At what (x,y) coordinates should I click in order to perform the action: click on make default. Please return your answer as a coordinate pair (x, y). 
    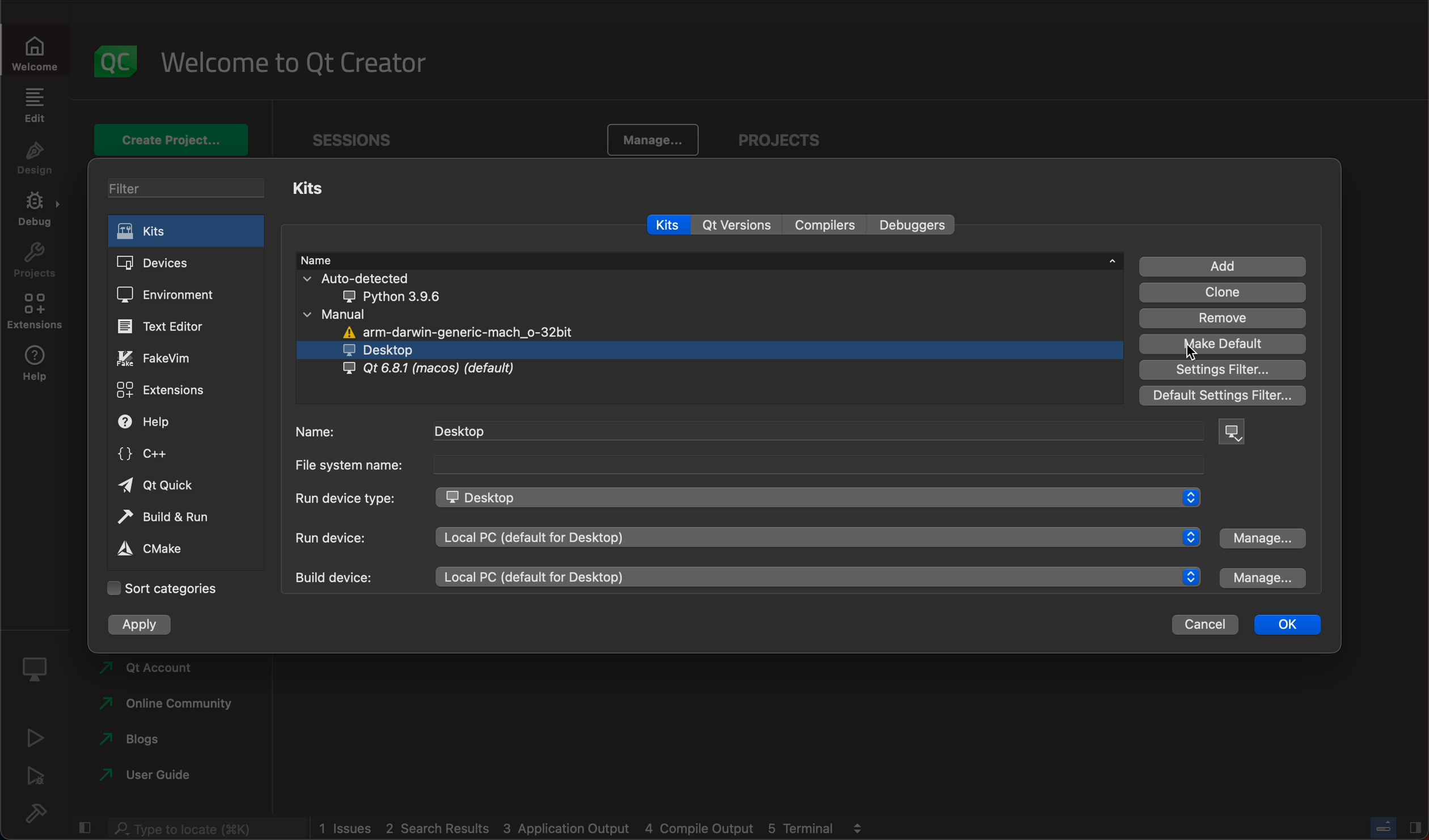
    Looking at the image, I should click on (1219, 344).